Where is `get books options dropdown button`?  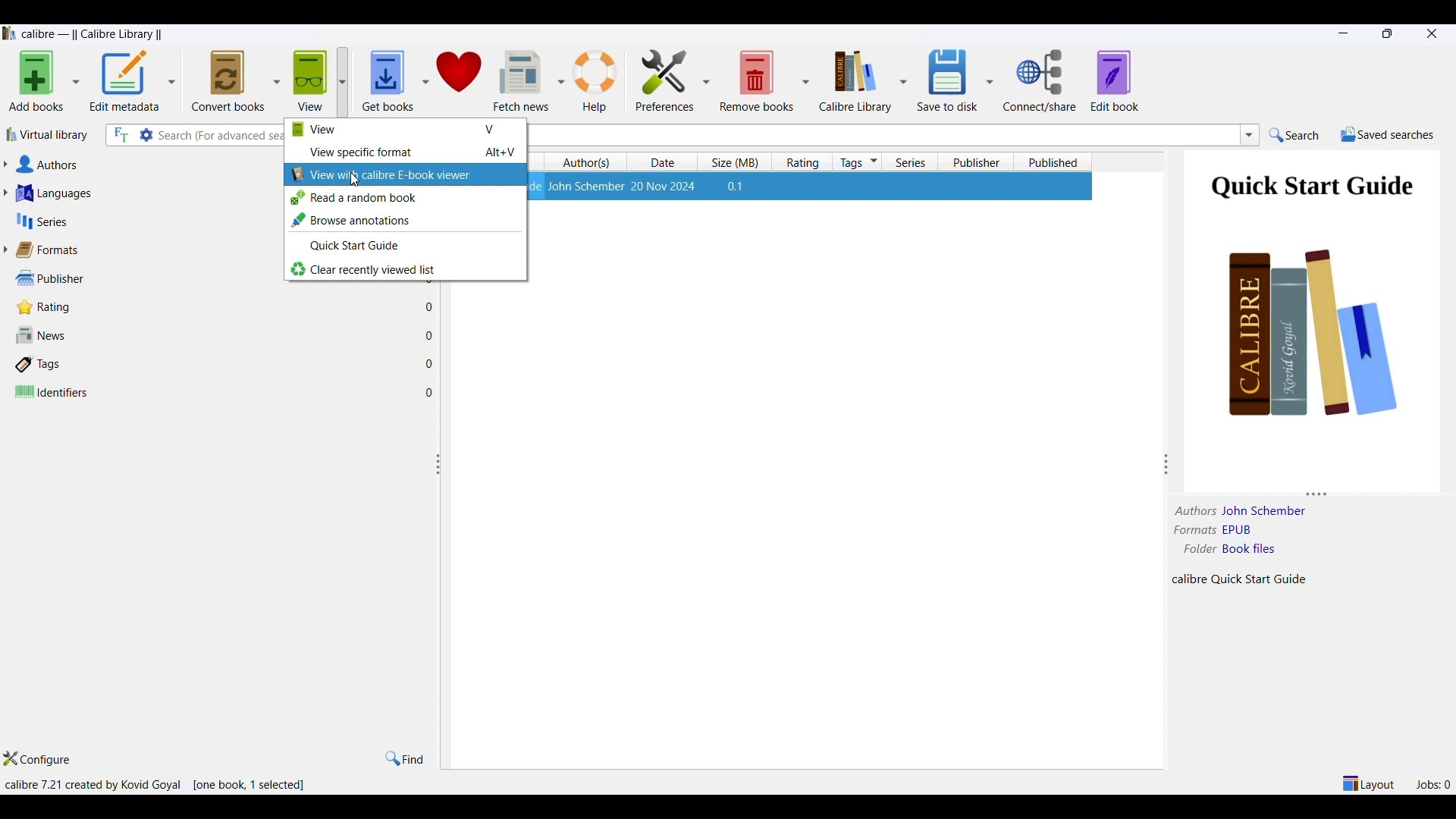 get books options dropdown button is located at coordinates (425, 80).